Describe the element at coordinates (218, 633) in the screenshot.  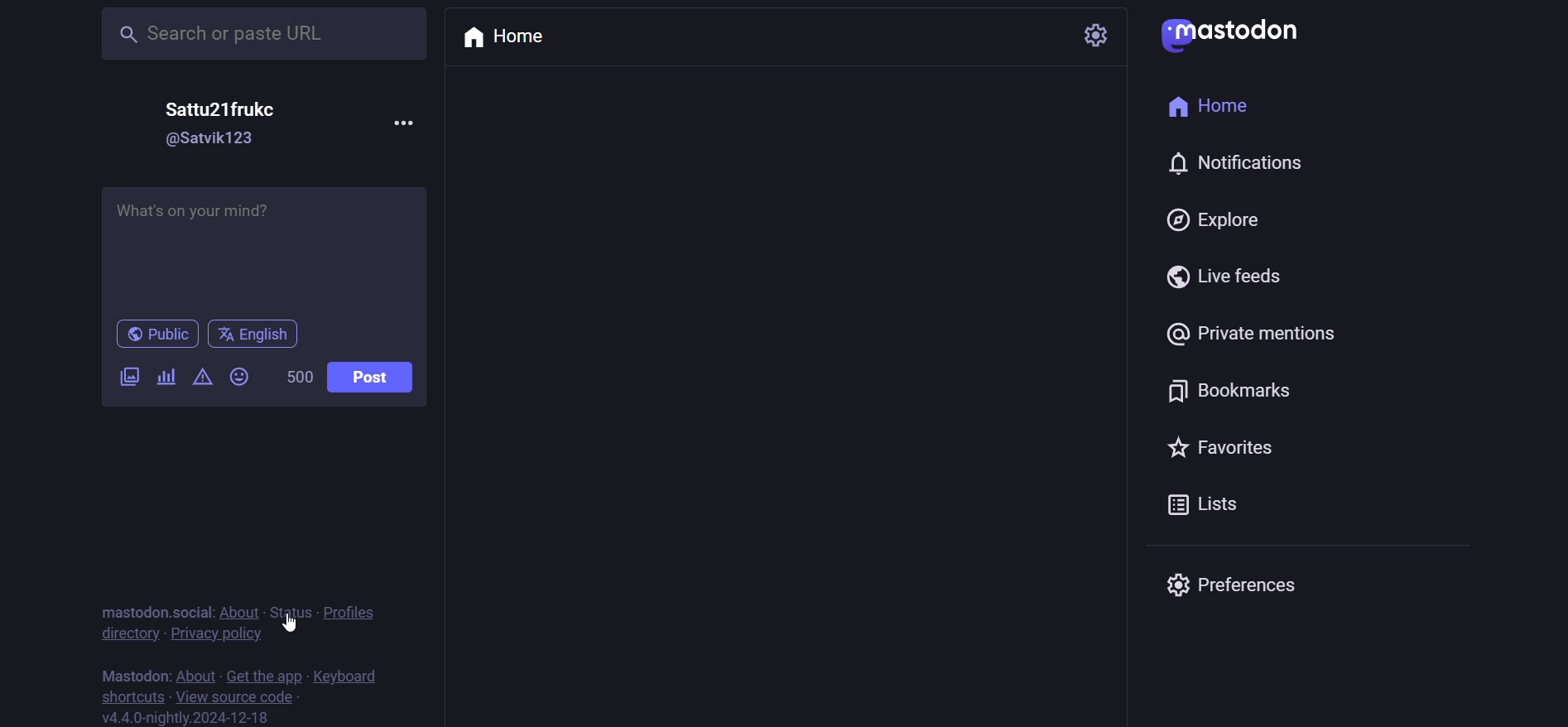
I see `privacy policy` at that location.